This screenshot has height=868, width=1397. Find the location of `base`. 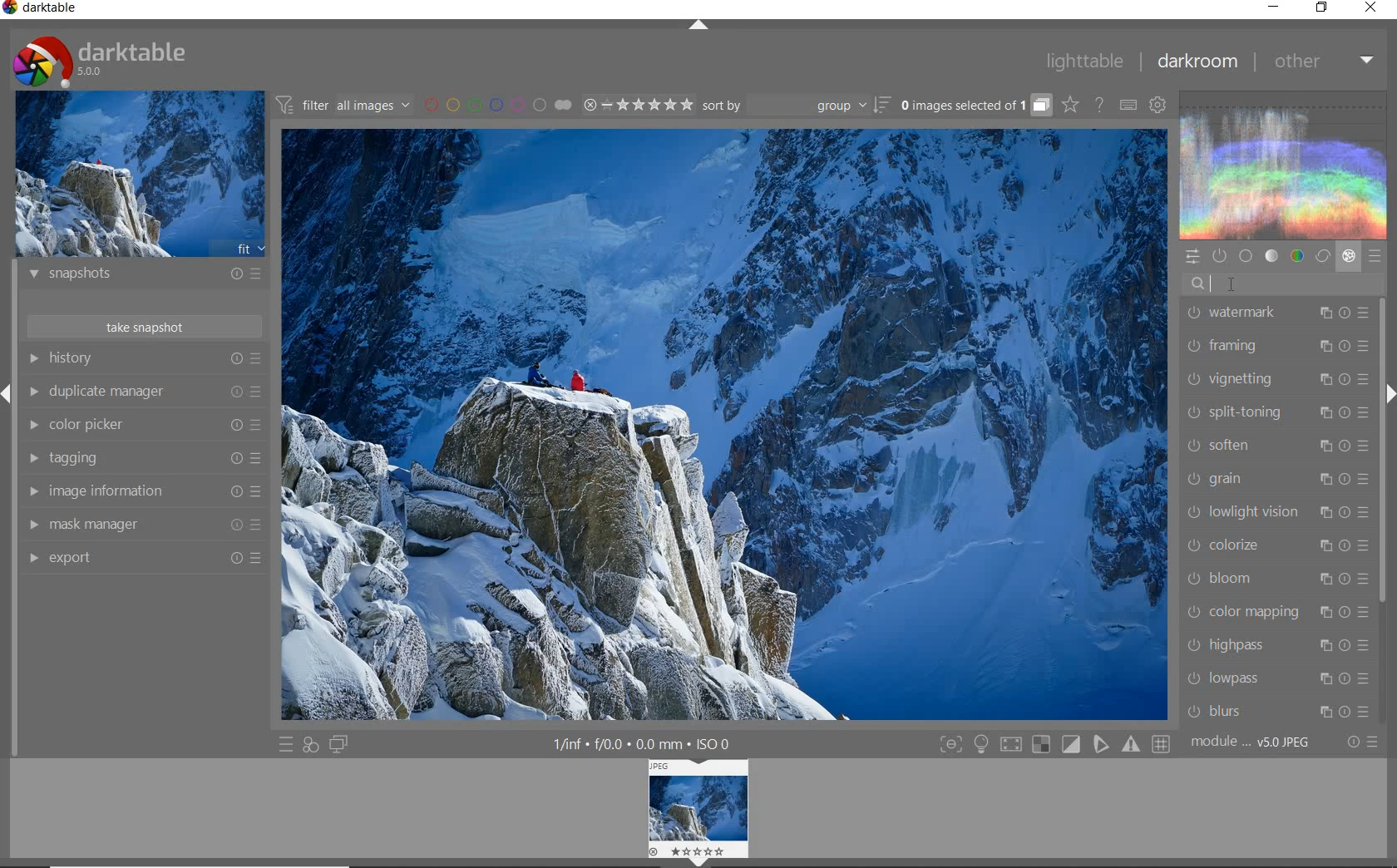

base is located at coordinates (1246, 255).